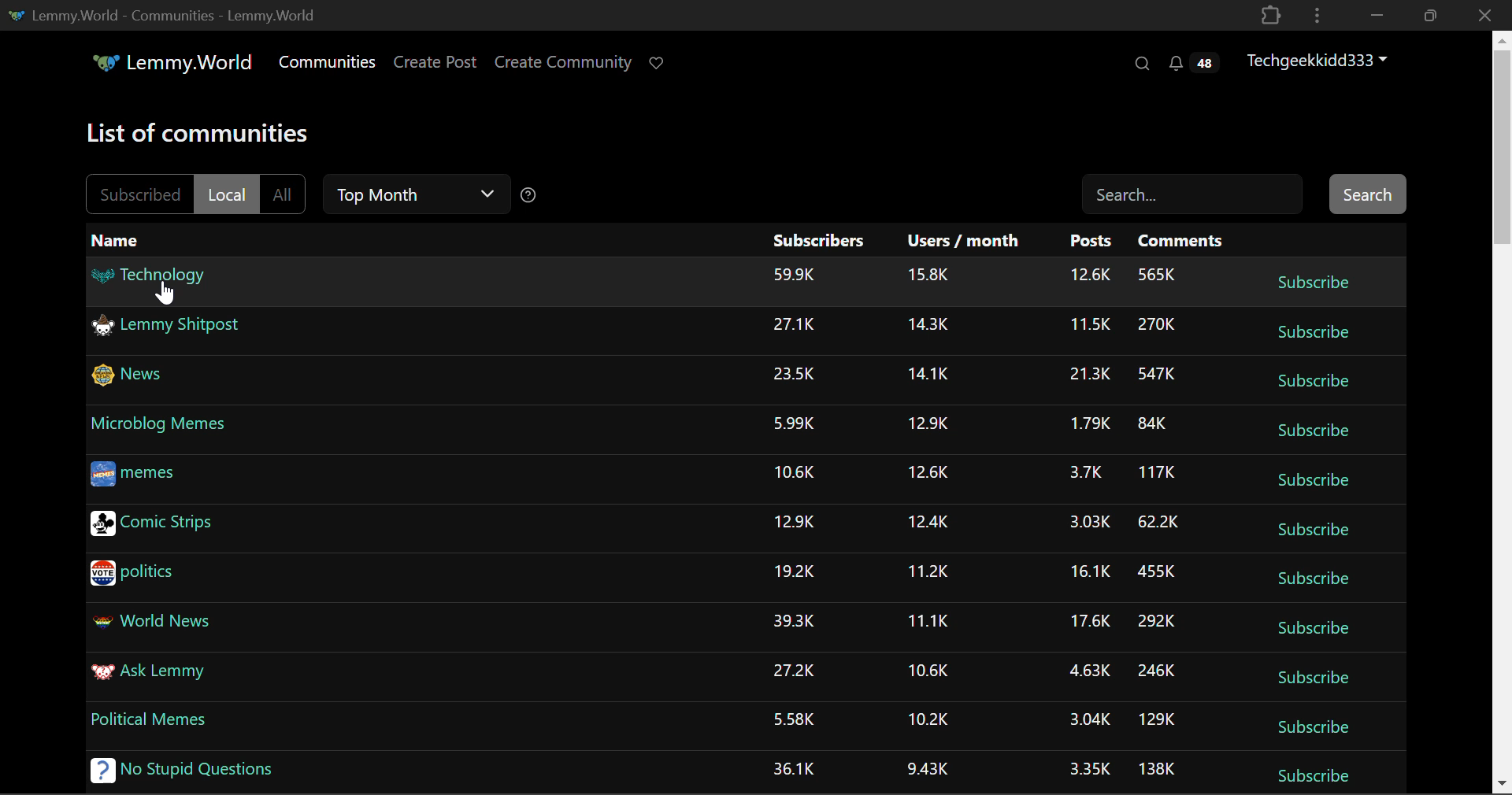 The image size is (1512, 795). Describe the element at coordinates (925, 473) in the screenshot. I see `Amount ` at that location.